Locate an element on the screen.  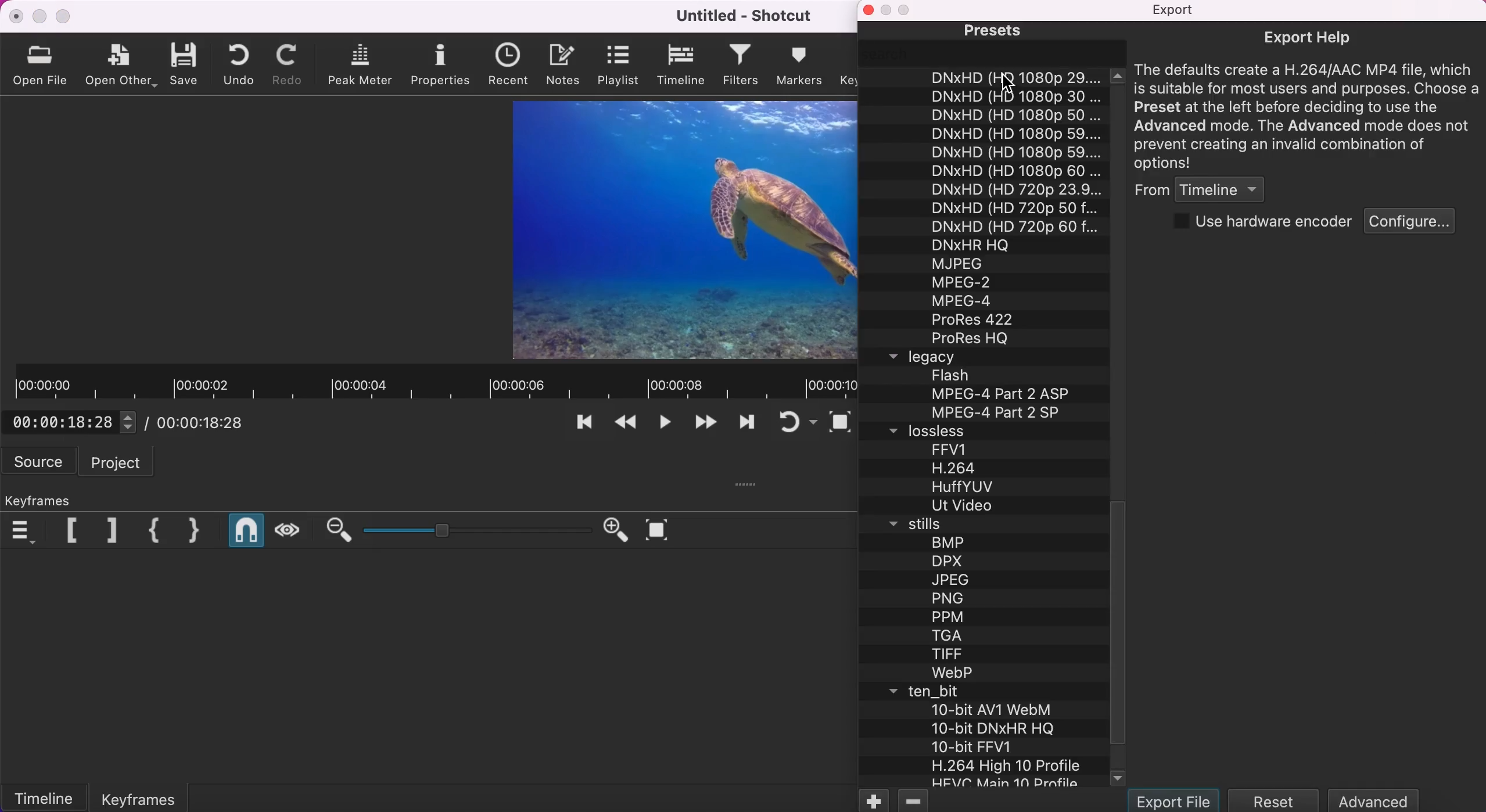
peak meter is located at coordinates (361, 63).